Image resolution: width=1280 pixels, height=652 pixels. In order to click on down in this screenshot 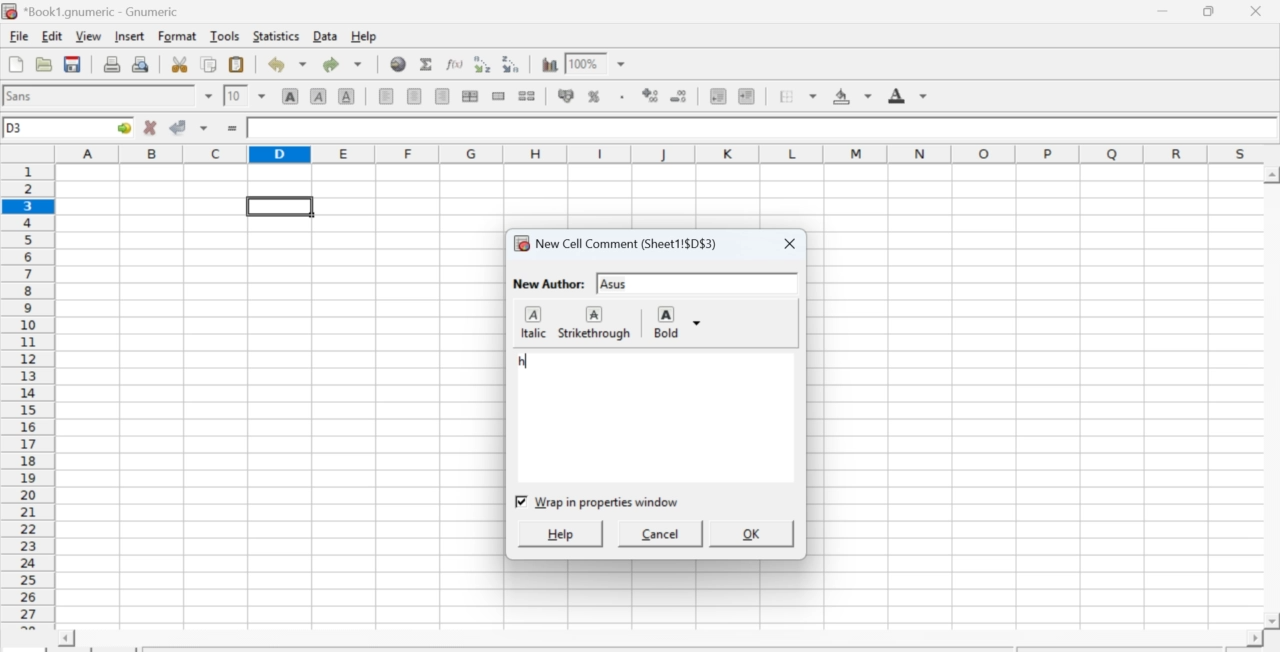, I will do `click(623, 64)`.